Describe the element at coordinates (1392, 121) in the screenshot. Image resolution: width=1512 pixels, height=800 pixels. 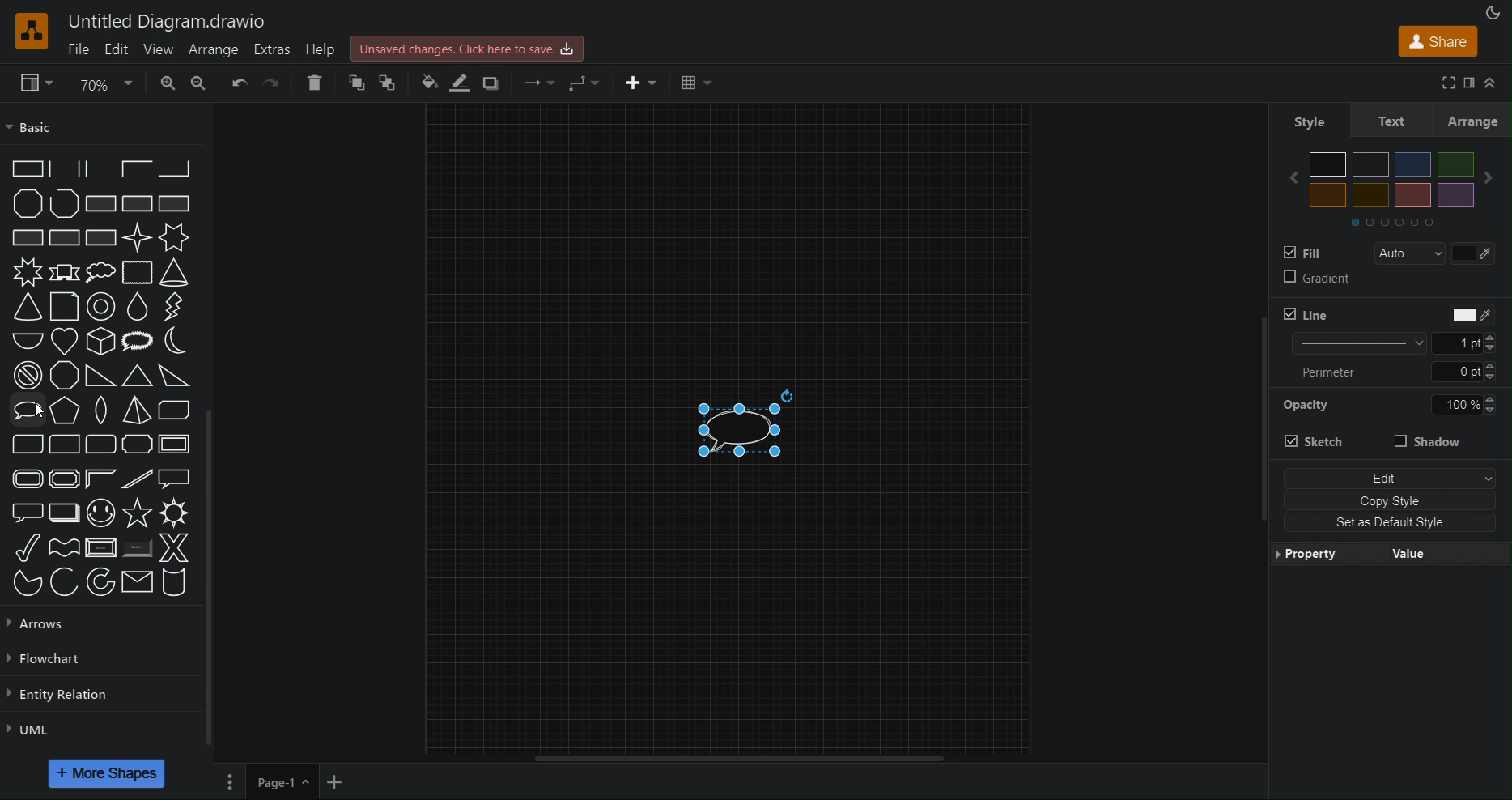
I see `Text` at that location.